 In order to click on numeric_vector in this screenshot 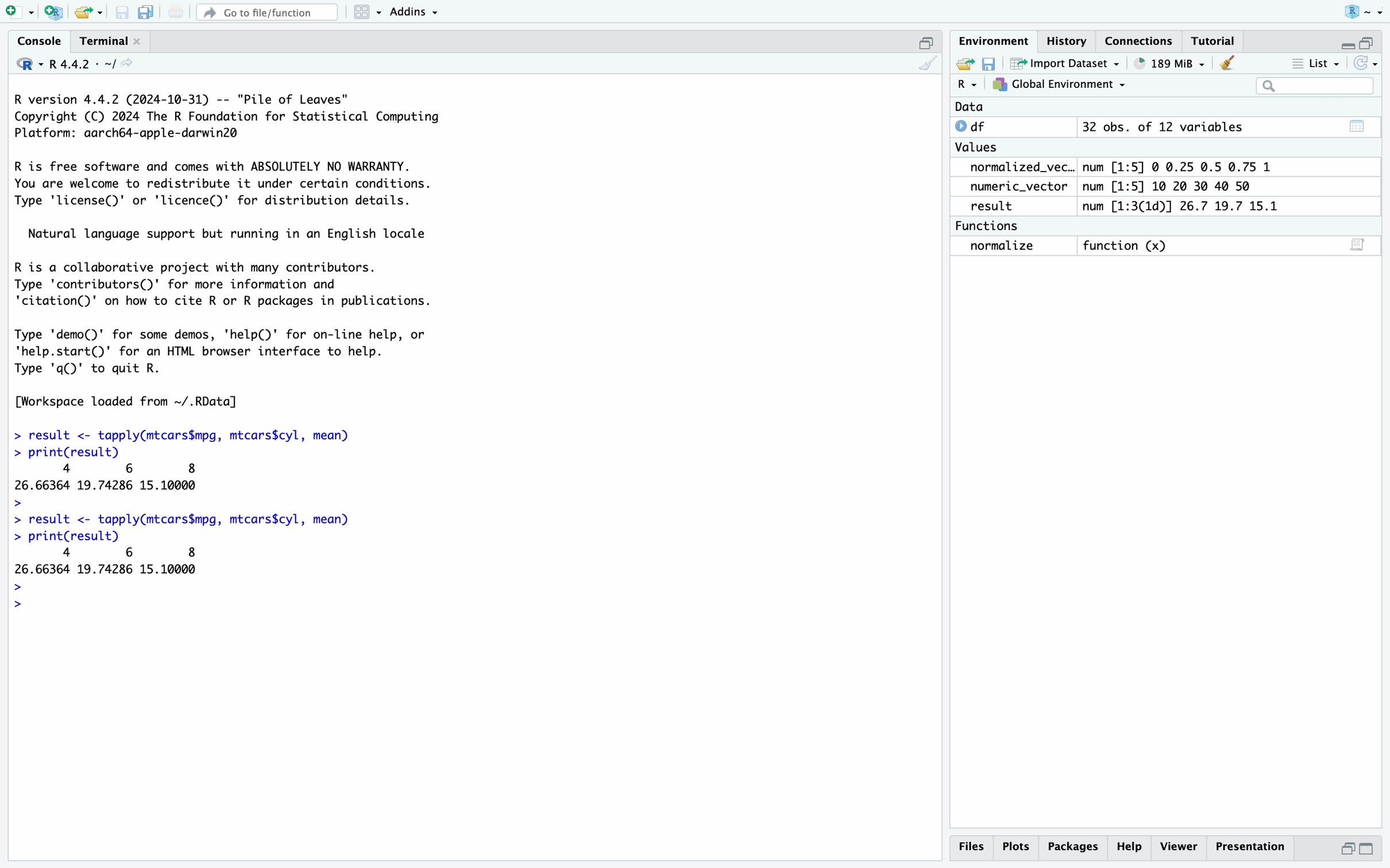, I will do `click(1018, 185)`.